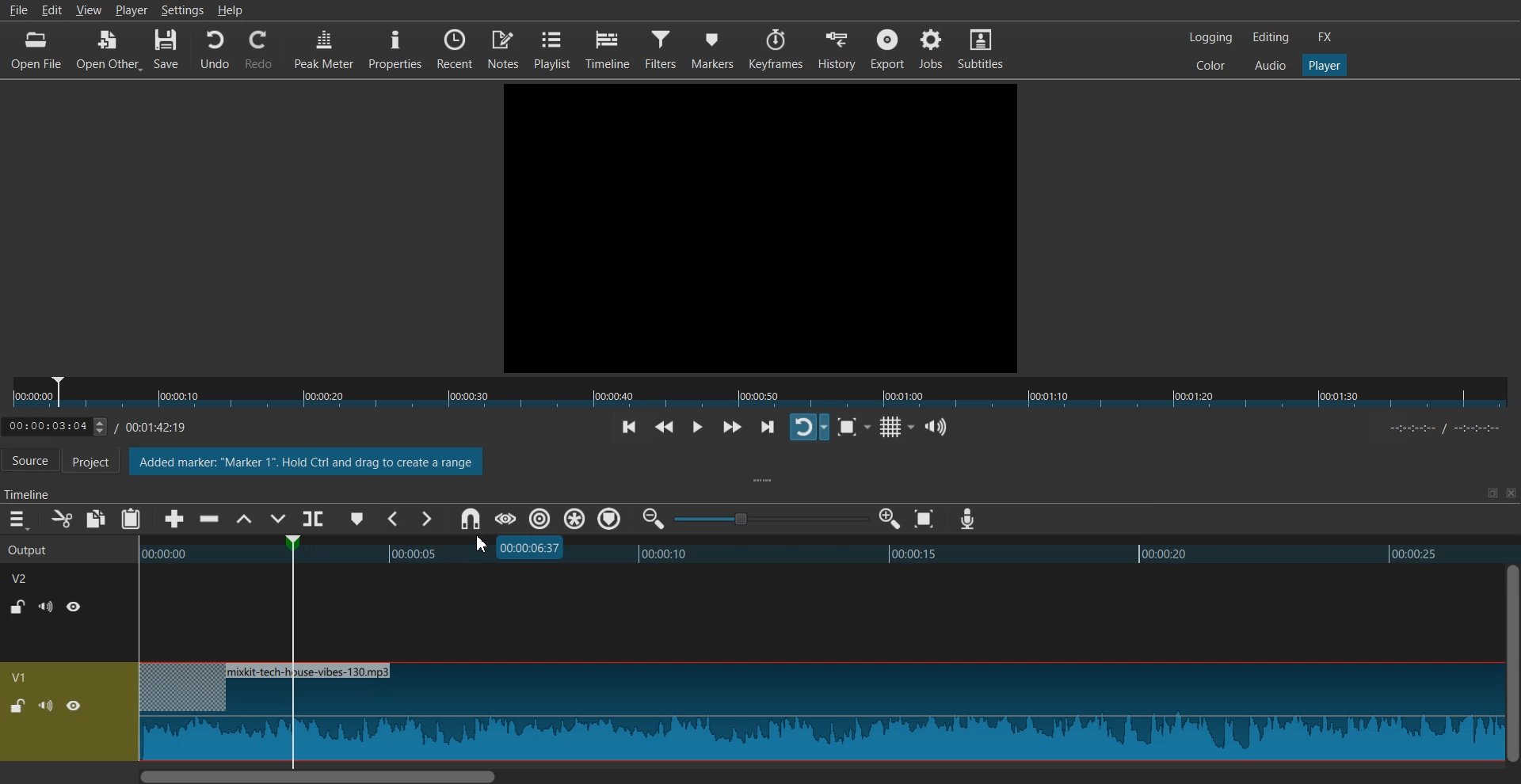 This screenshot has width=1521, height=784. What do you see at coordinates (611, 519) in the screenshot?
I see `Ripple Tracks` at bounding box center [611, 519].